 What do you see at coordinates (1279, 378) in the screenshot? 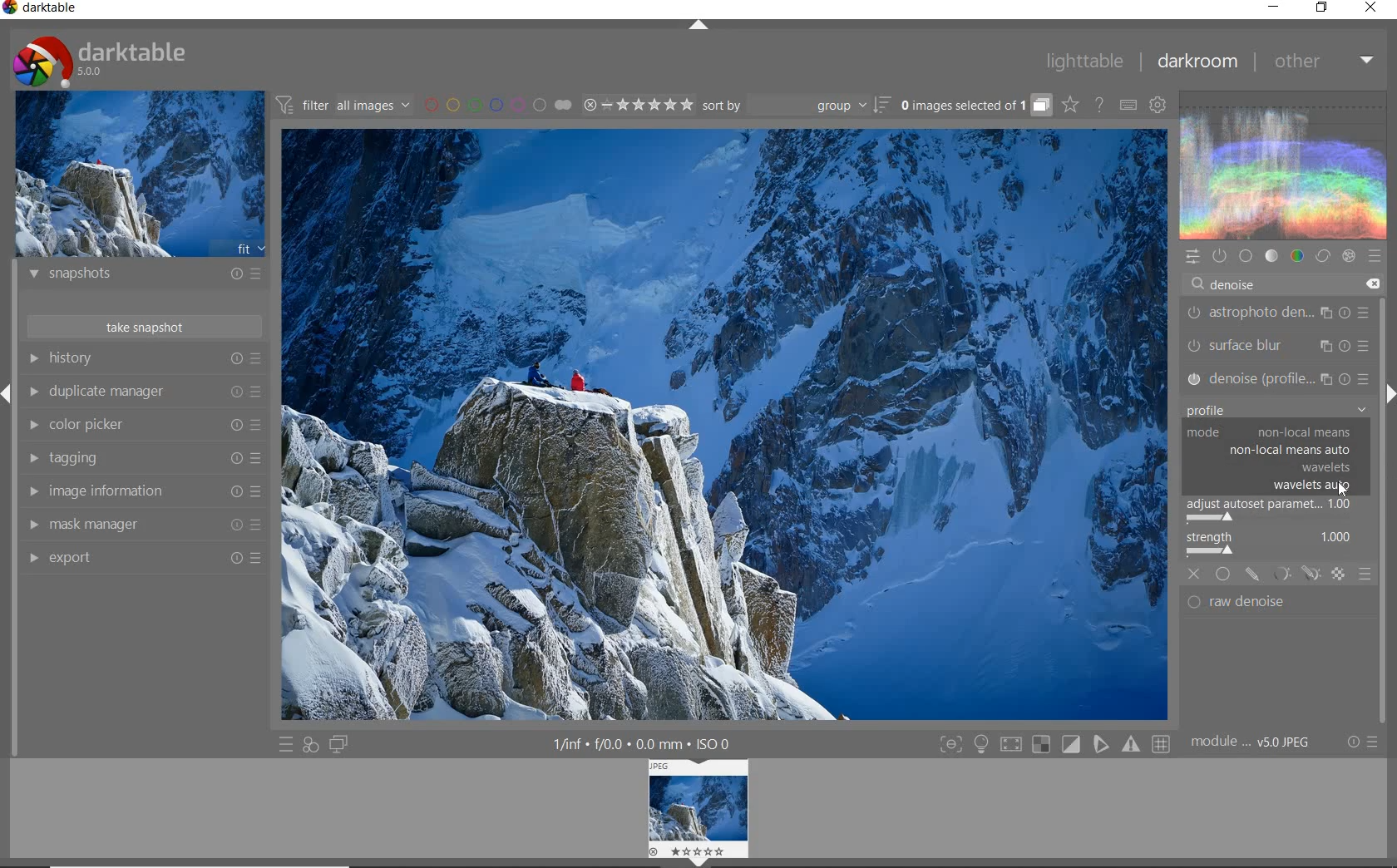
I see `denoise (PROFILE...` at bounding box center [1279, 378].